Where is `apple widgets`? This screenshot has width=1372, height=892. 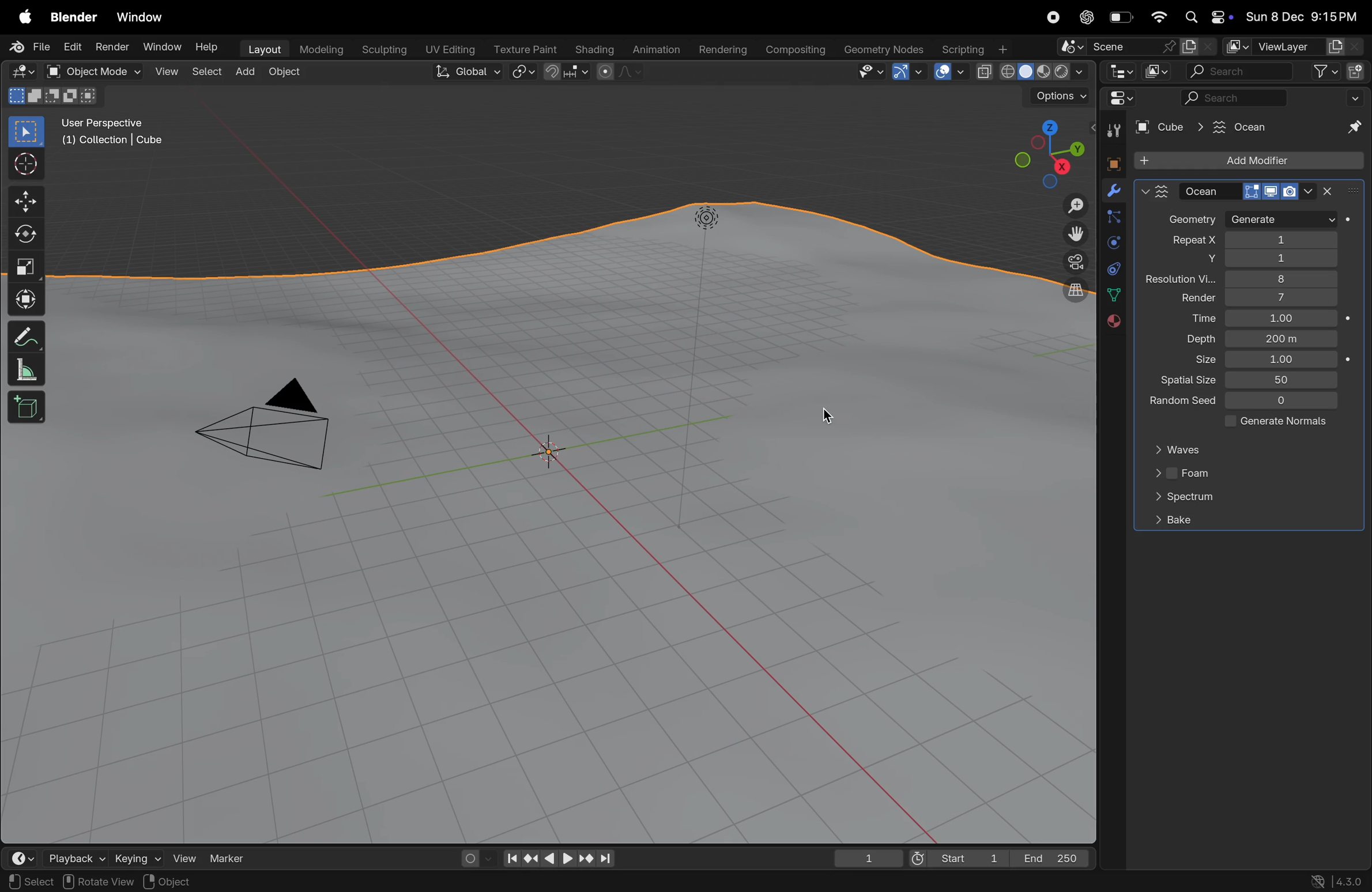 apple widgets is located at coordinates (1205, 18).